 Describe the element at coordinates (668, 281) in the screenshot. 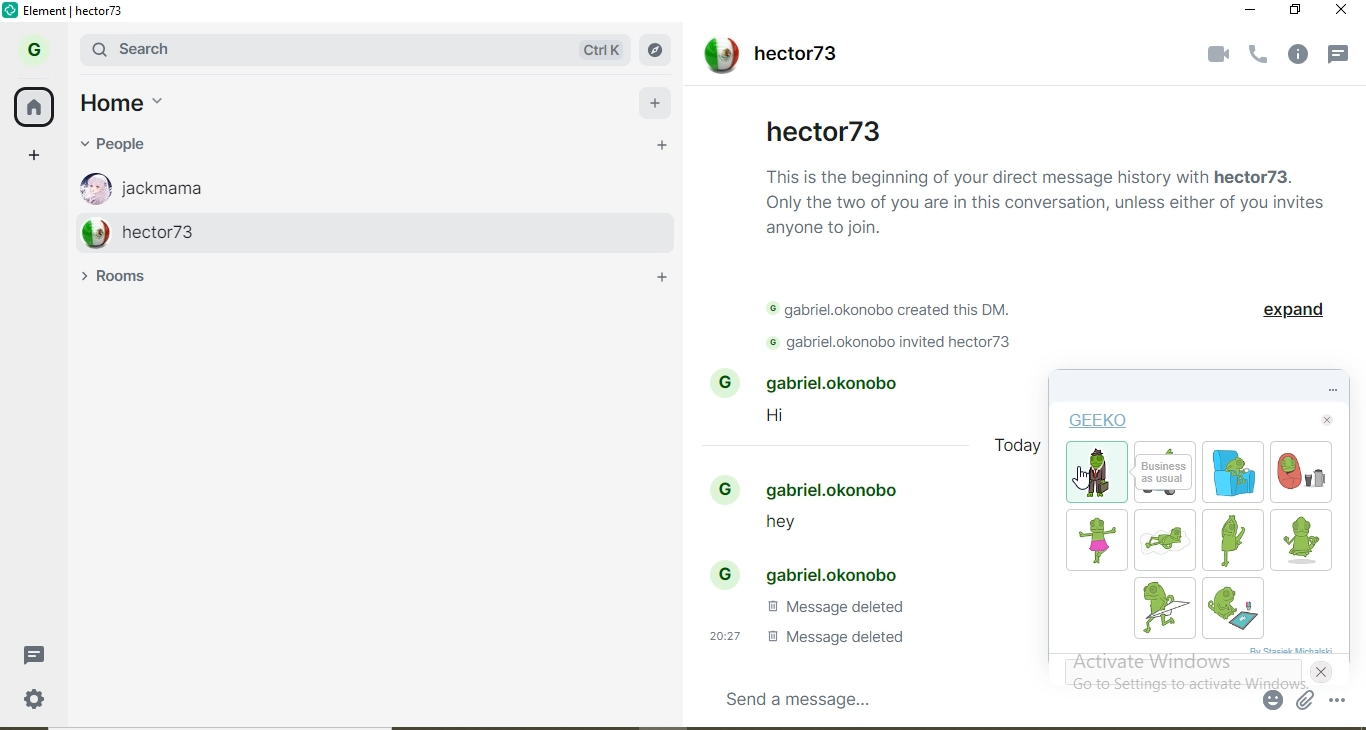

I see `add room` at that location.